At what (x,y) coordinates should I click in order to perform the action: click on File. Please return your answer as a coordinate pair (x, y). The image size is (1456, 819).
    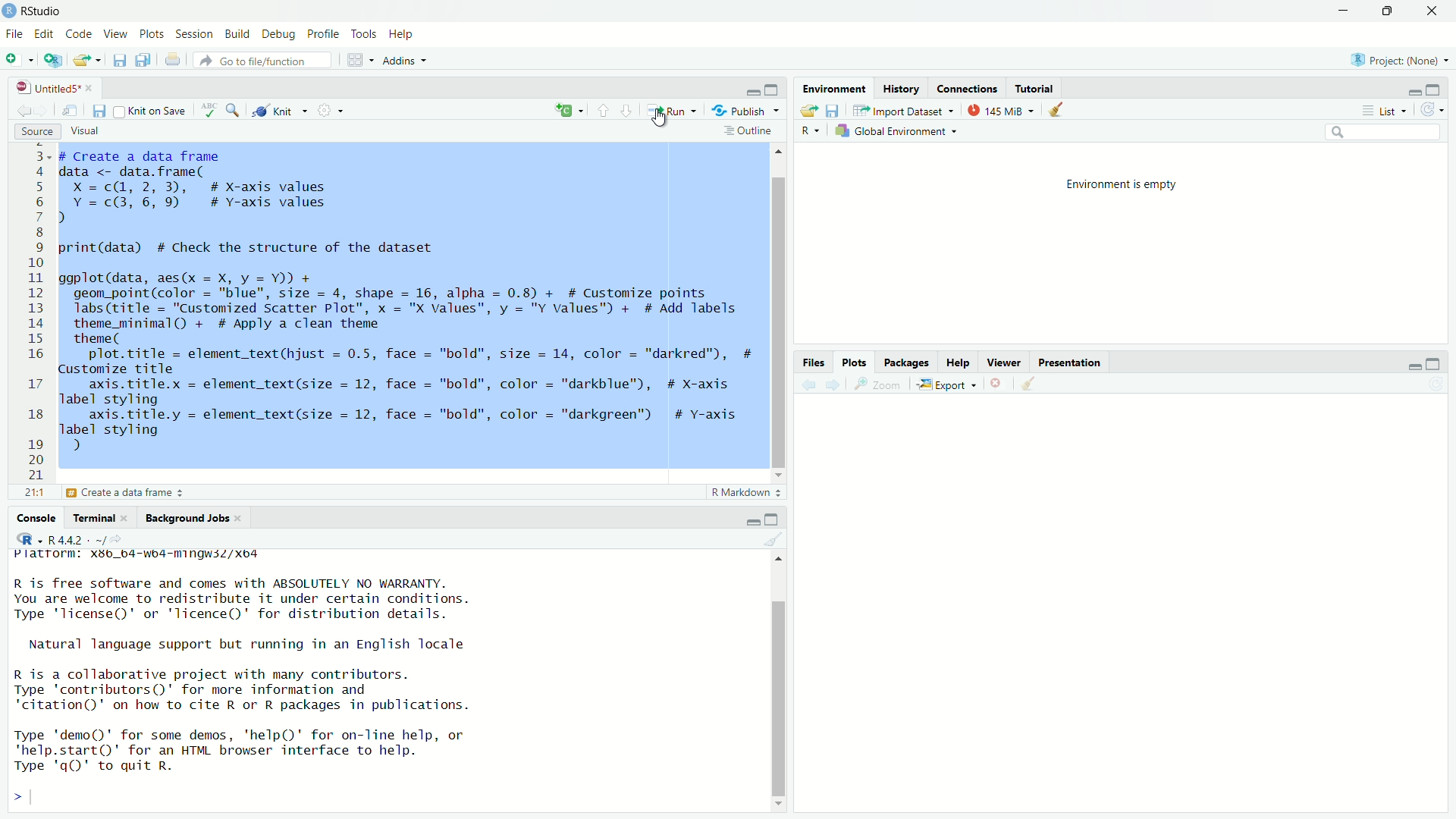
    Looking at the image, I should click on (13, 33).